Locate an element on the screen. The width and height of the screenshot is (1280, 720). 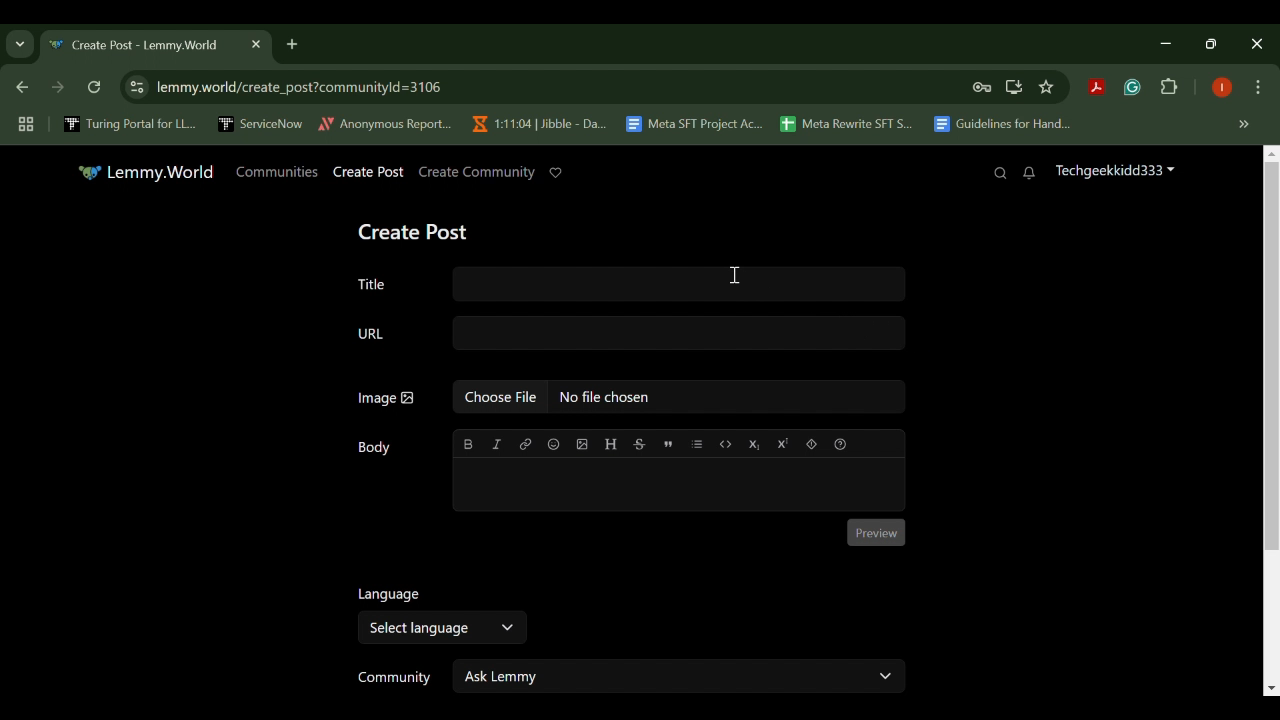
Next Webpage is located at coordinates (58, 90).